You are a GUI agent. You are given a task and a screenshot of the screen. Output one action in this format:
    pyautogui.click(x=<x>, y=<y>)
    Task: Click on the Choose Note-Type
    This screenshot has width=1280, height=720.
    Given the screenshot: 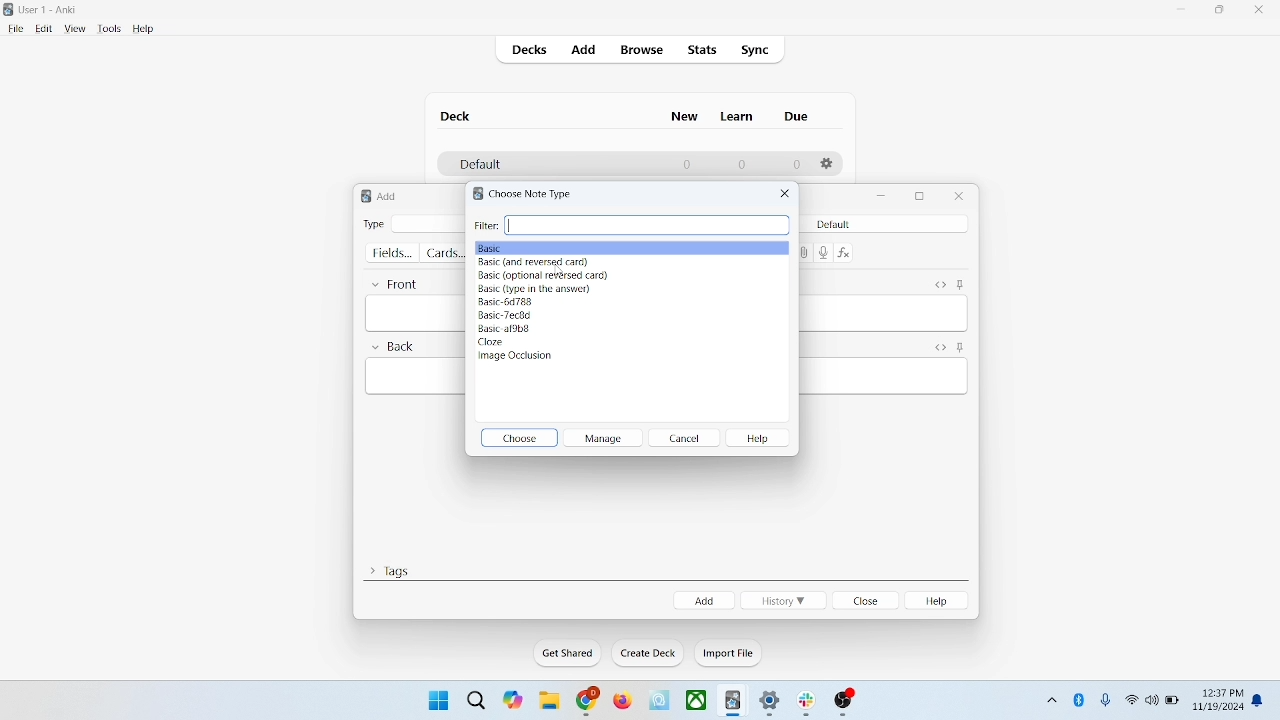 What is the action you would take?
    pyautogui.click(x=538, y=193)
    